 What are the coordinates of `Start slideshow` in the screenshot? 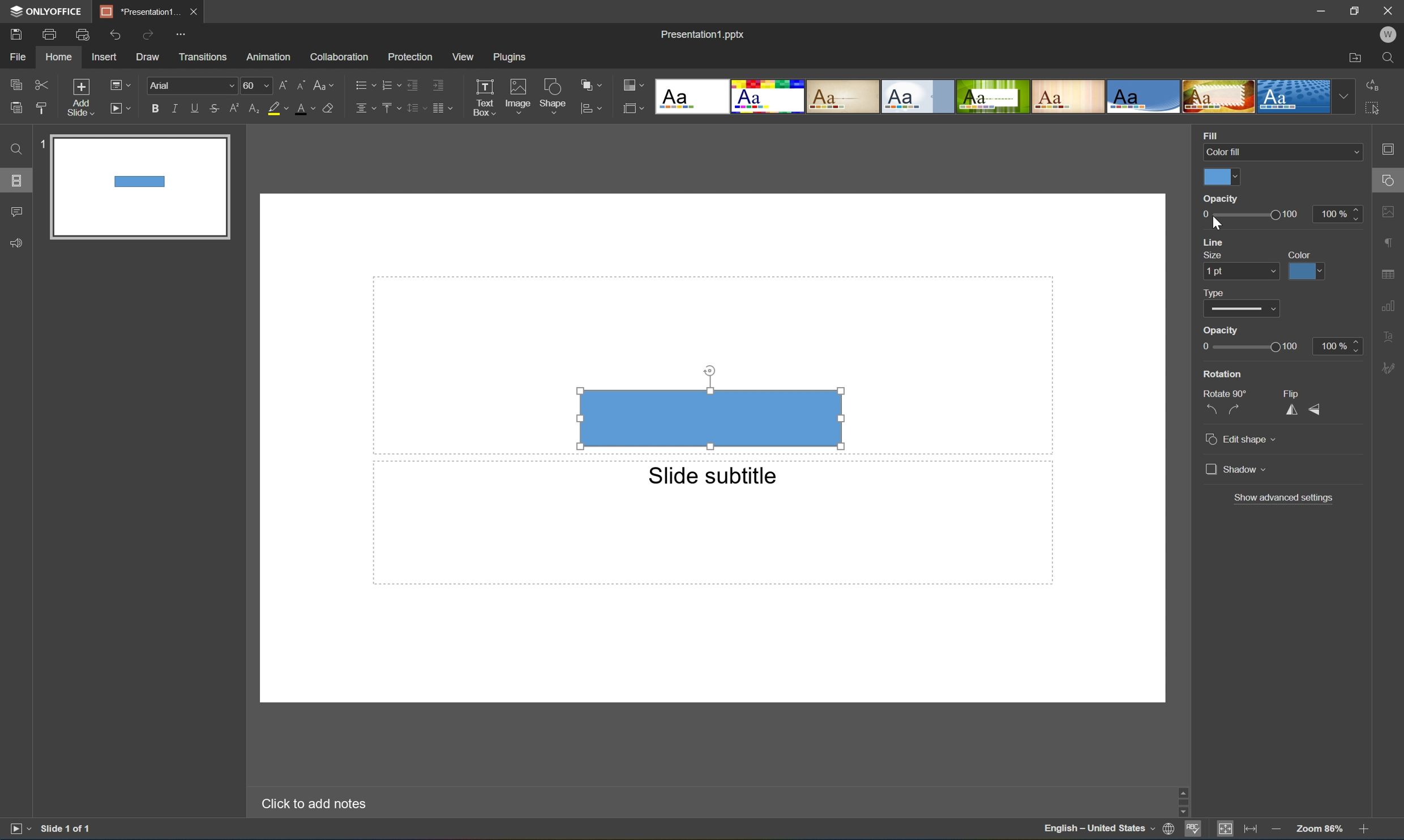 It's located at (122, 109).